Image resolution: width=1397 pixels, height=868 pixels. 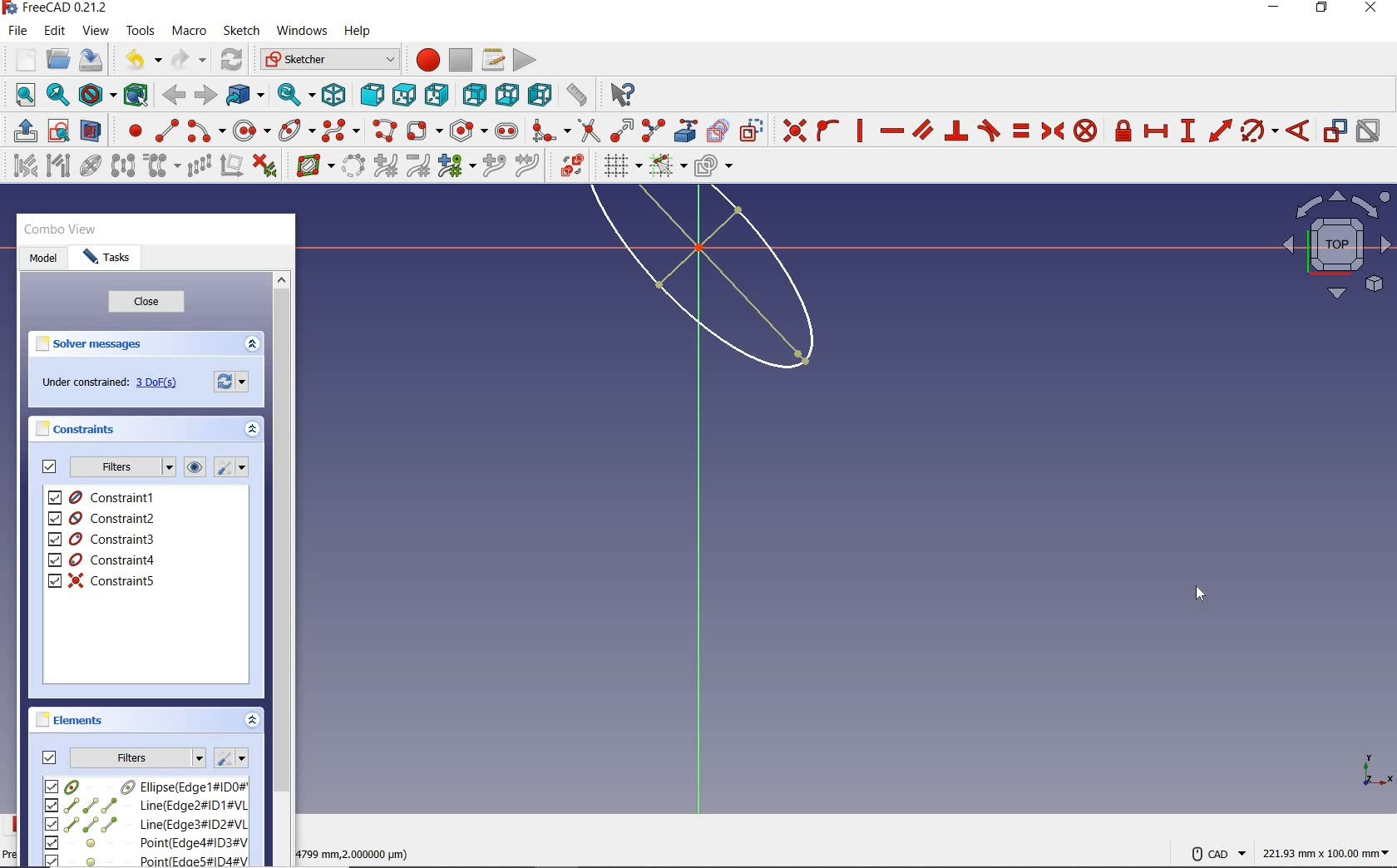 What do you see at coordinates (403, 91) in the screenshot?
I see `top` at bounding box center [403, 91].